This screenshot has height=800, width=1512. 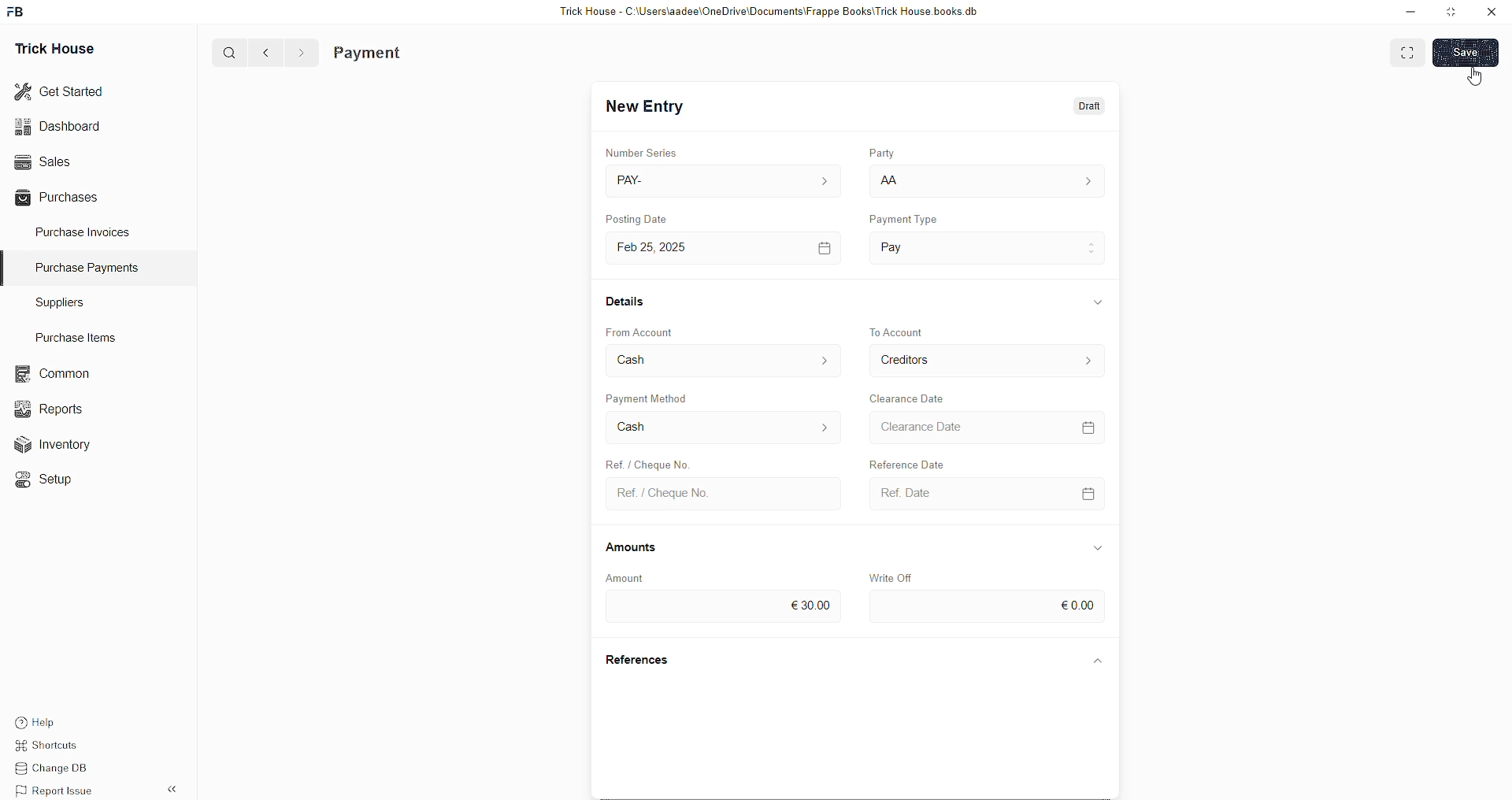 What do you see at coordinates (301, 53) in the screenshot?
I see `>` at bounding box center [301, 53].